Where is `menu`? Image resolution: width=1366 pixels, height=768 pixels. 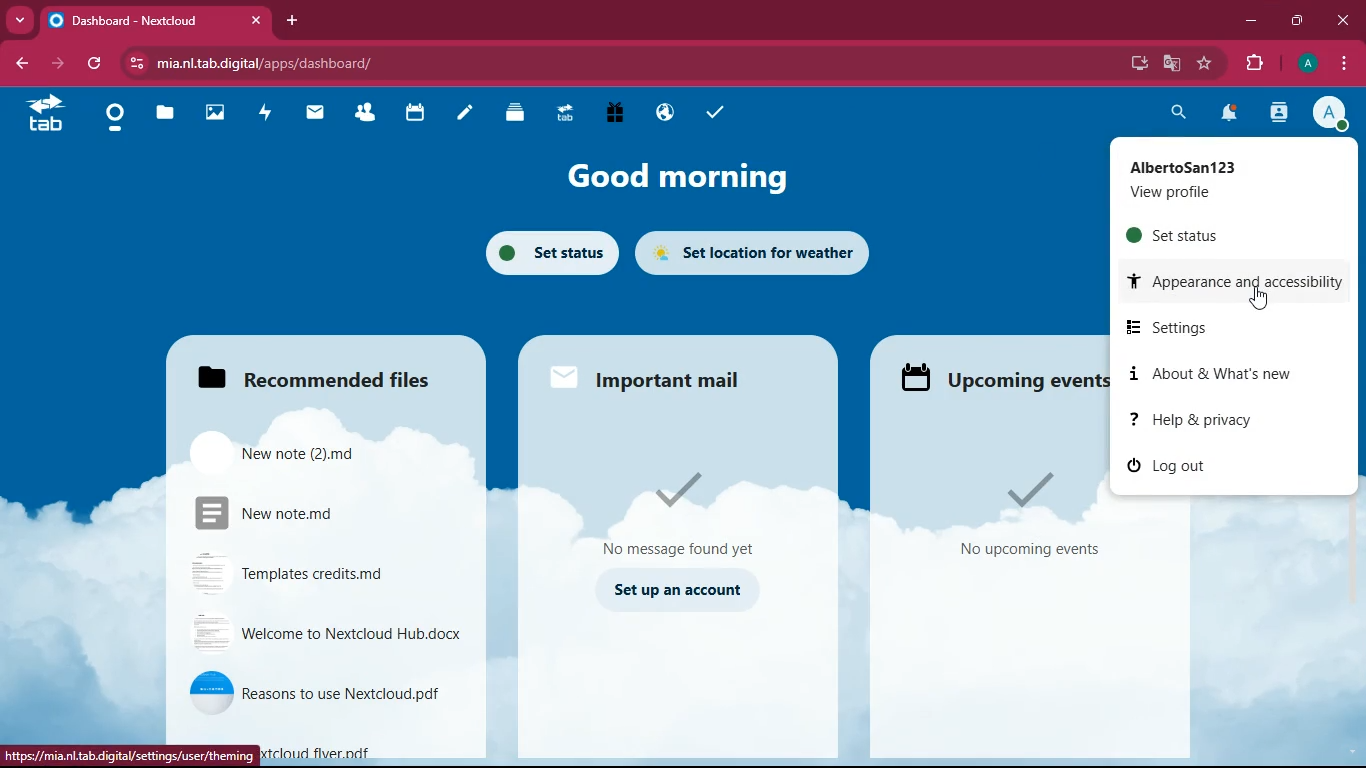
menu is located at coordinates (1343, 65).